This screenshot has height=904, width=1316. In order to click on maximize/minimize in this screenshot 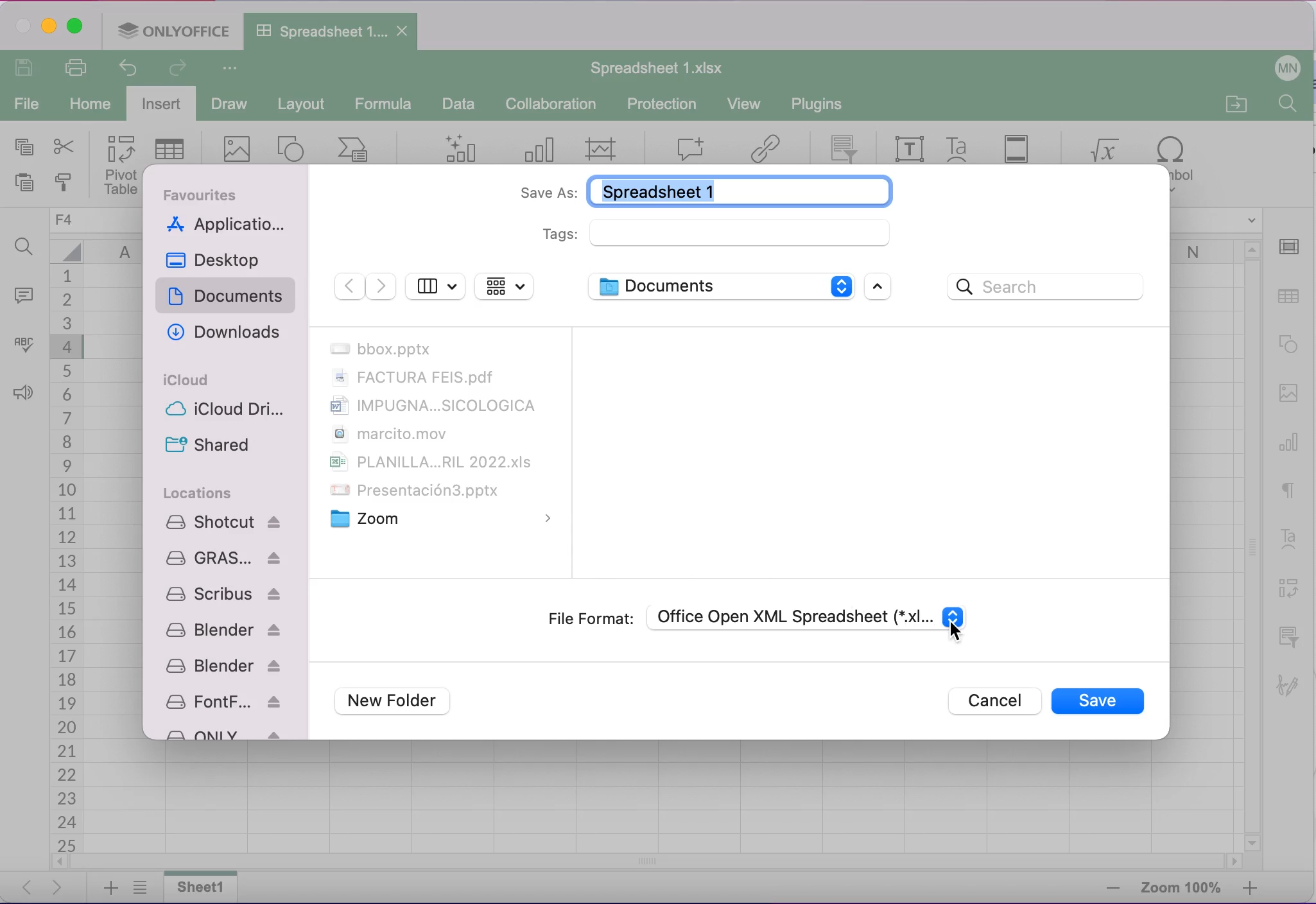, I will do `click(883, 288)`.